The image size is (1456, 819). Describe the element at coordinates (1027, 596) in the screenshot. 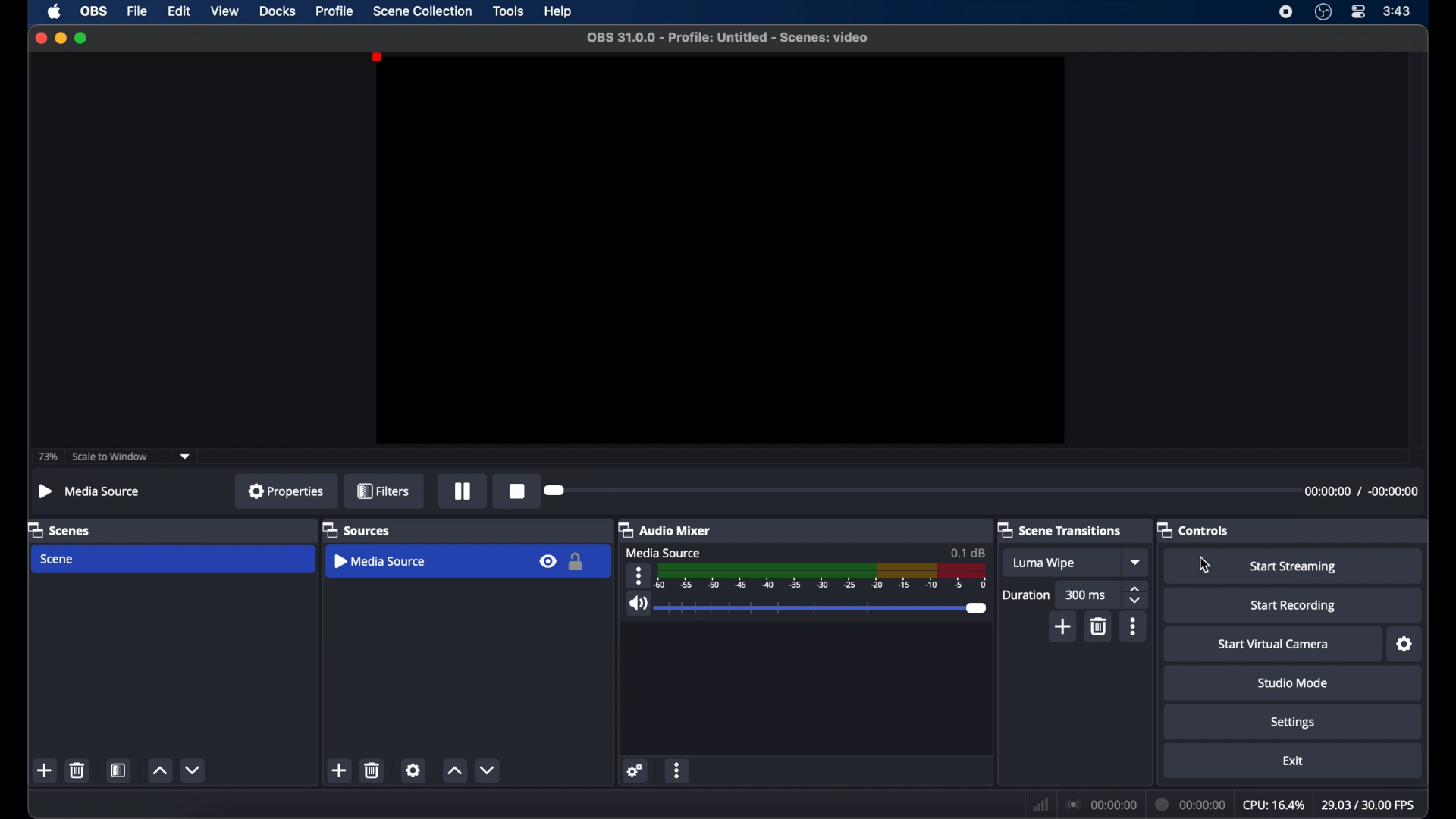

I see `duration` at that location.